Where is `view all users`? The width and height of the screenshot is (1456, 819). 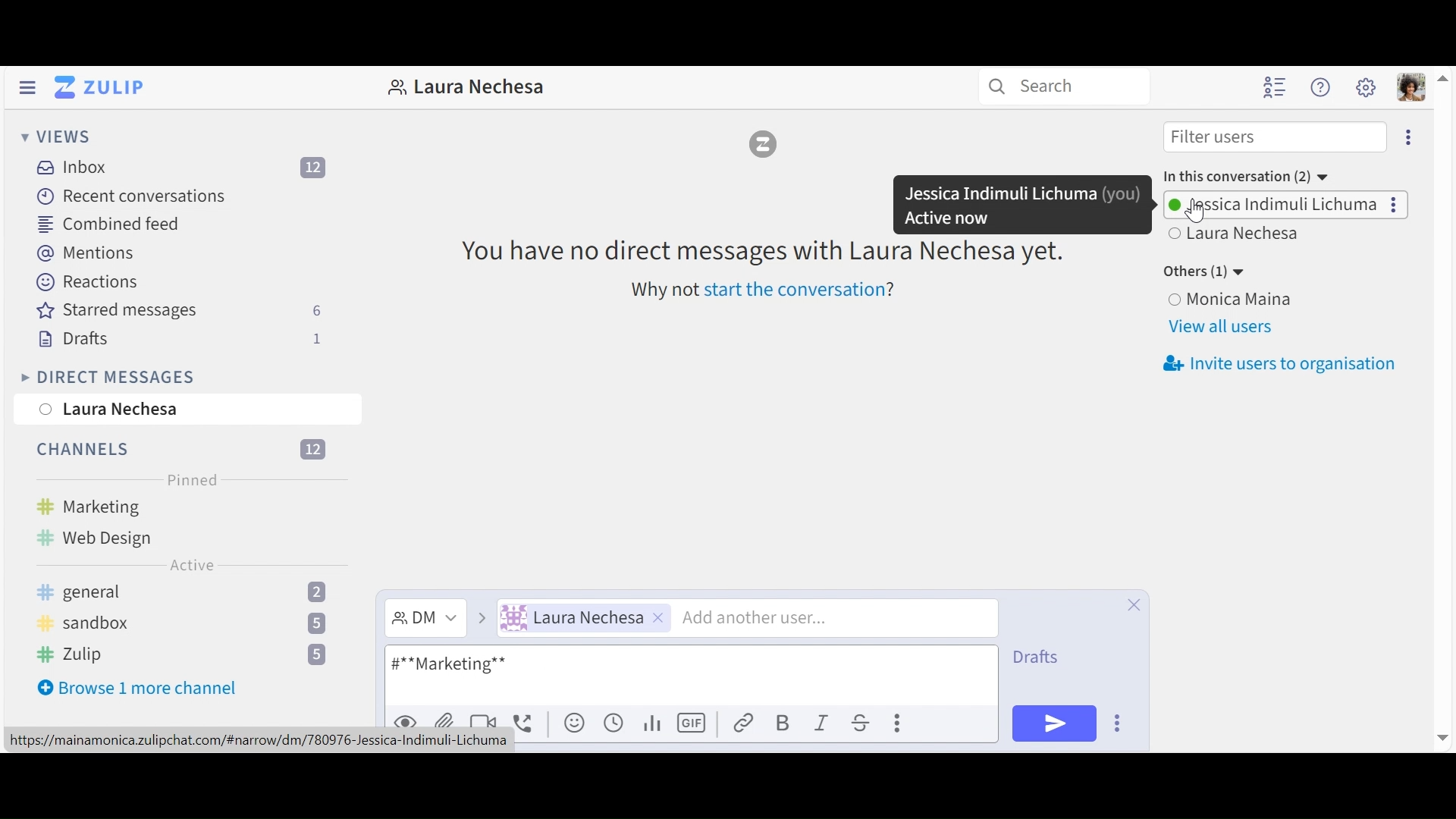 view all users is located at coordinates (1223, 329).